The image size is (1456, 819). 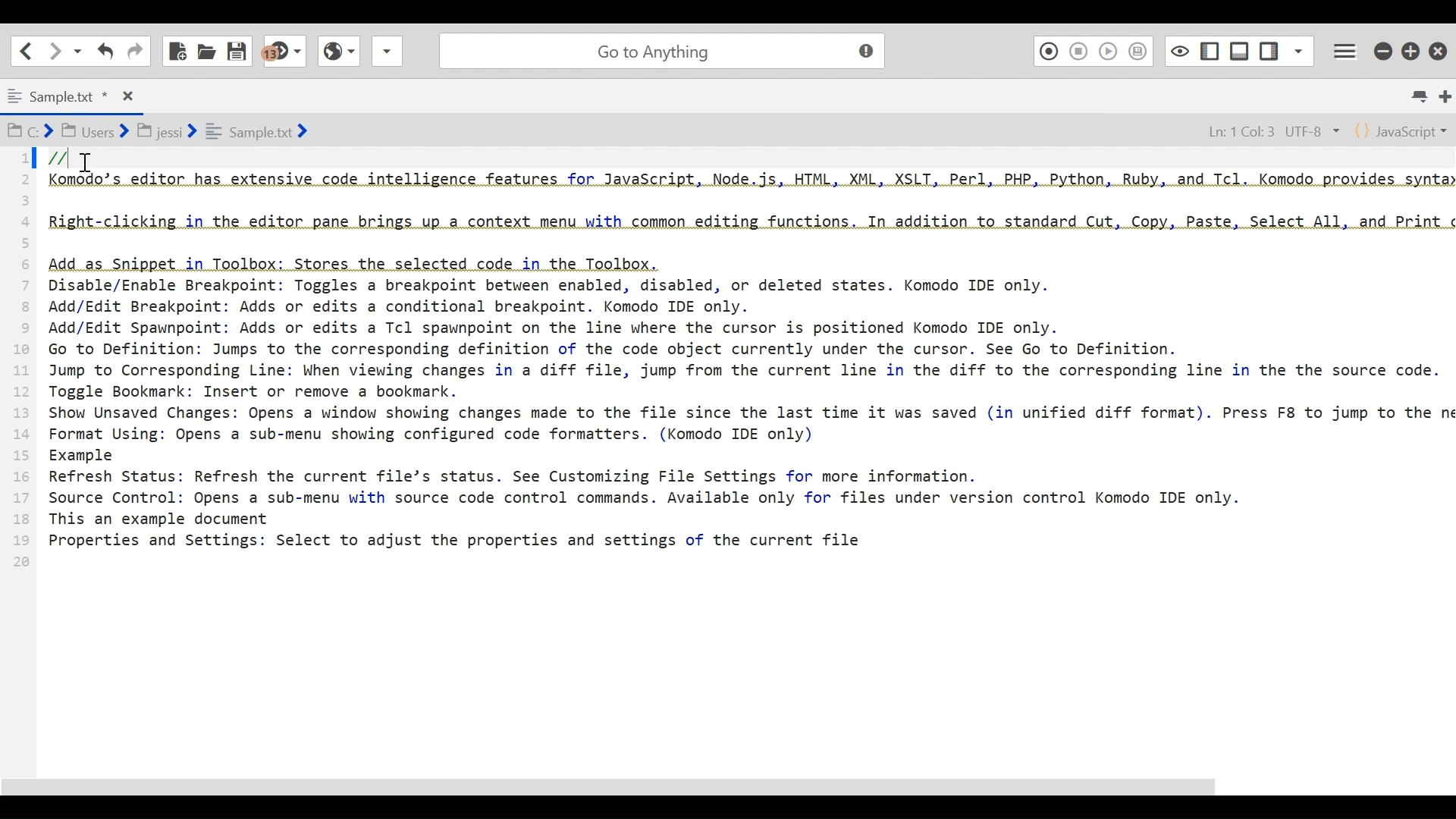 What do you see at coordinates (239, 49) in the screenshot?
I see `Save File` at bounding box center [239, 49].